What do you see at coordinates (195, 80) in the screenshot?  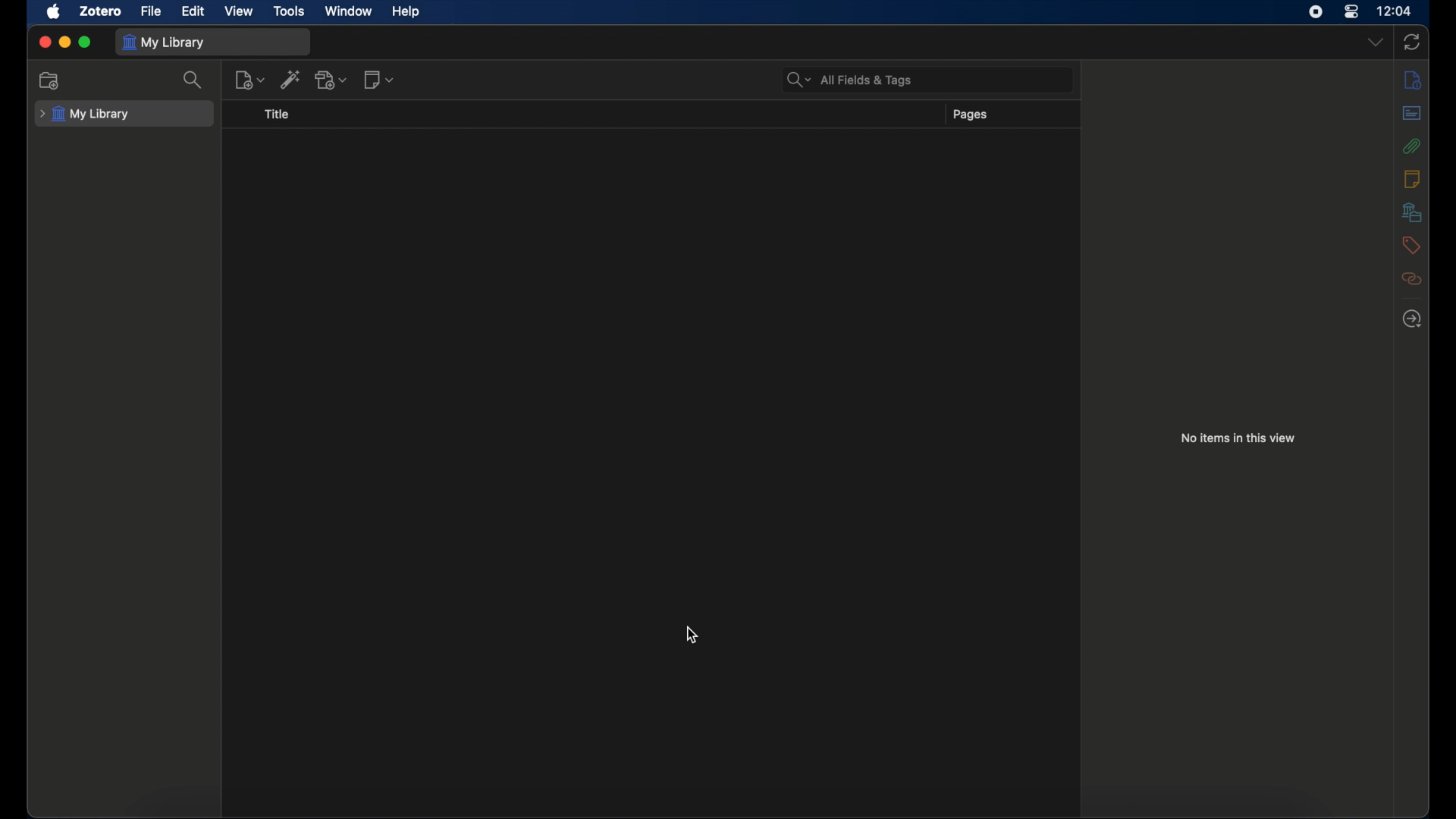 I see `search ` at bounding box center [195, 80].